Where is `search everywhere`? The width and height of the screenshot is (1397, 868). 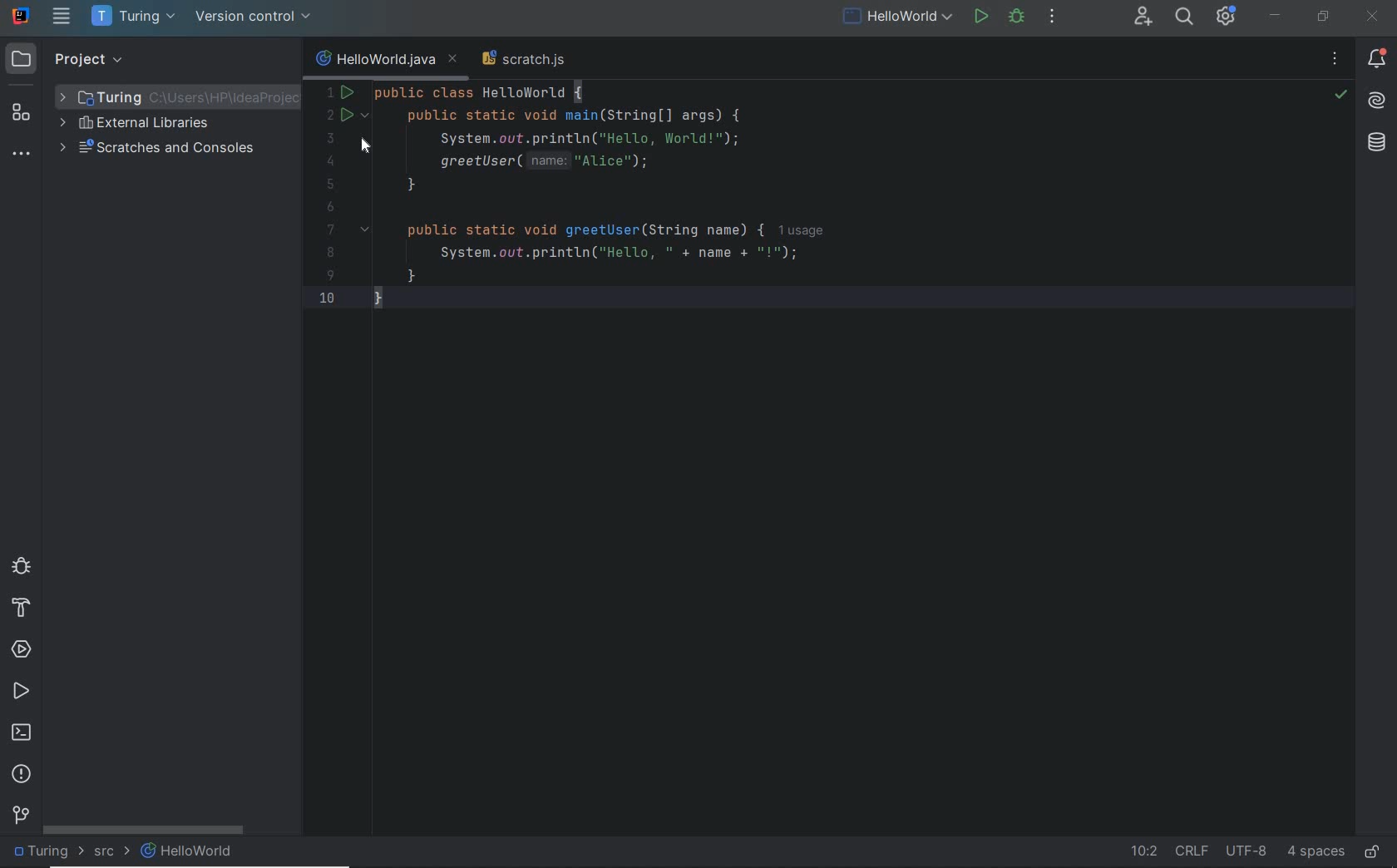
search everywhere is located at coordinates (1184, 18).